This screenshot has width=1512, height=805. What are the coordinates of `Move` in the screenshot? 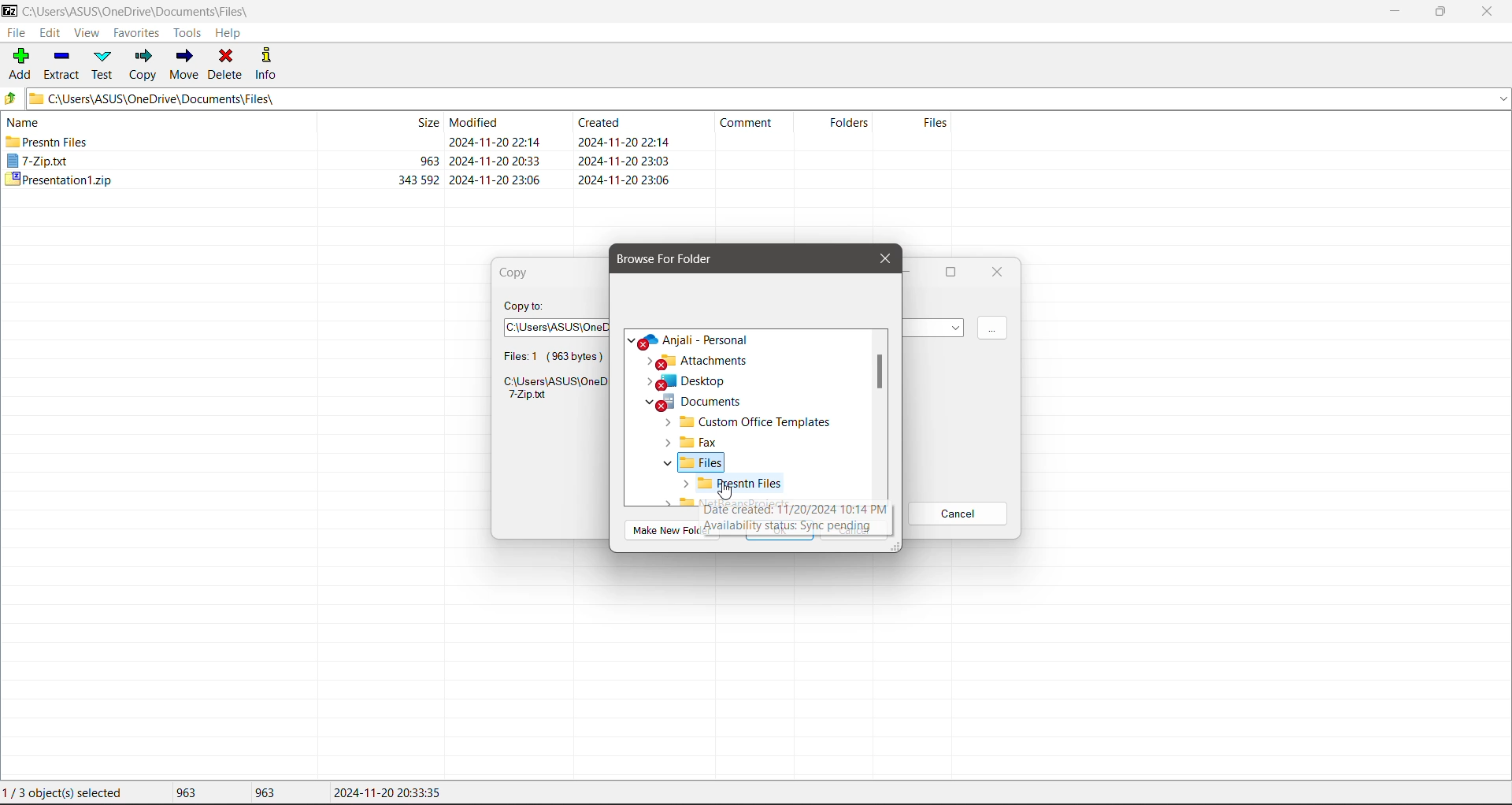 It's located at (187, 65).